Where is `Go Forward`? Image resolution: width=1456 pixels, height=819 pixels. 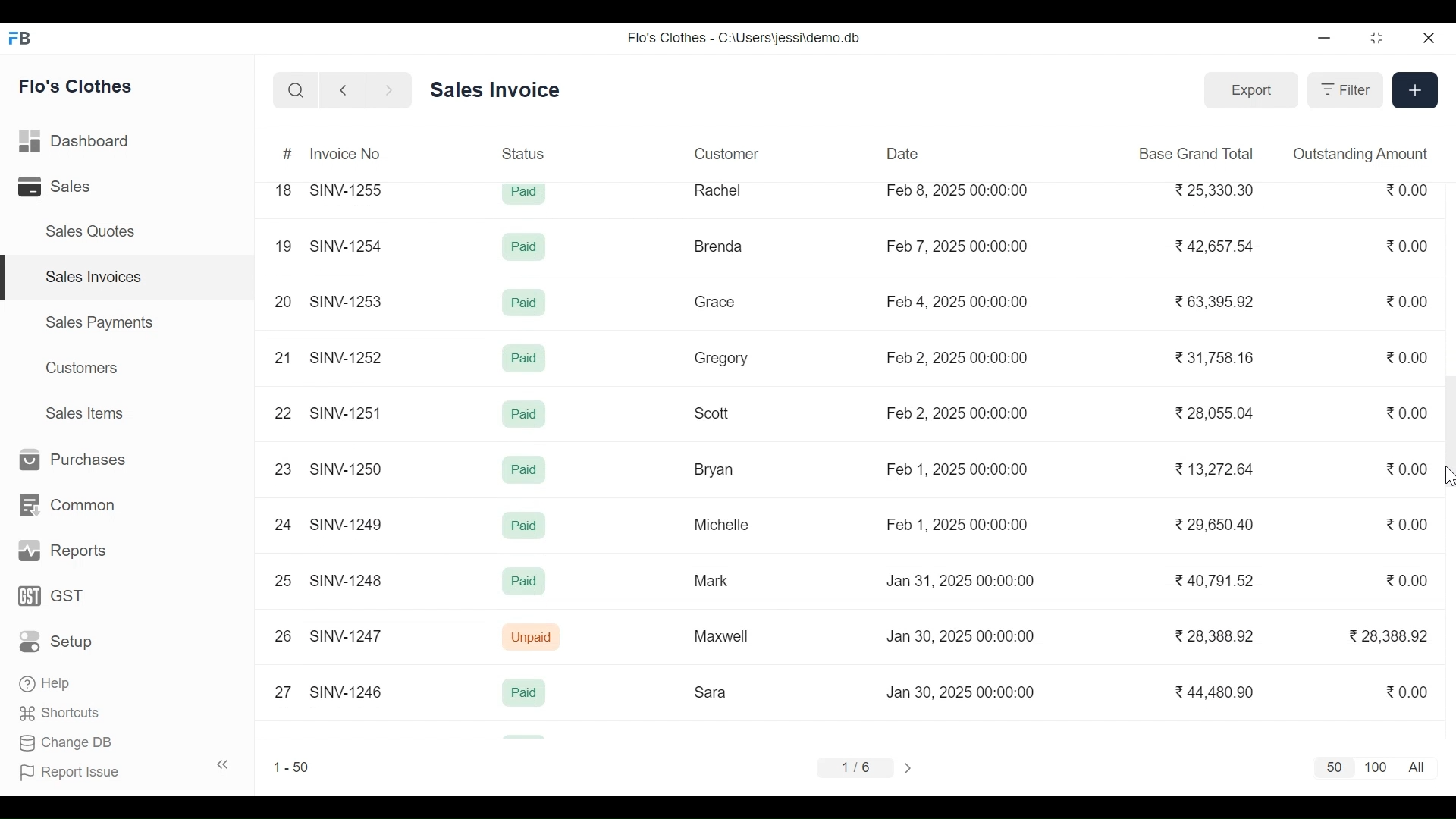 Go Forward is located at coordinates (385, 91).